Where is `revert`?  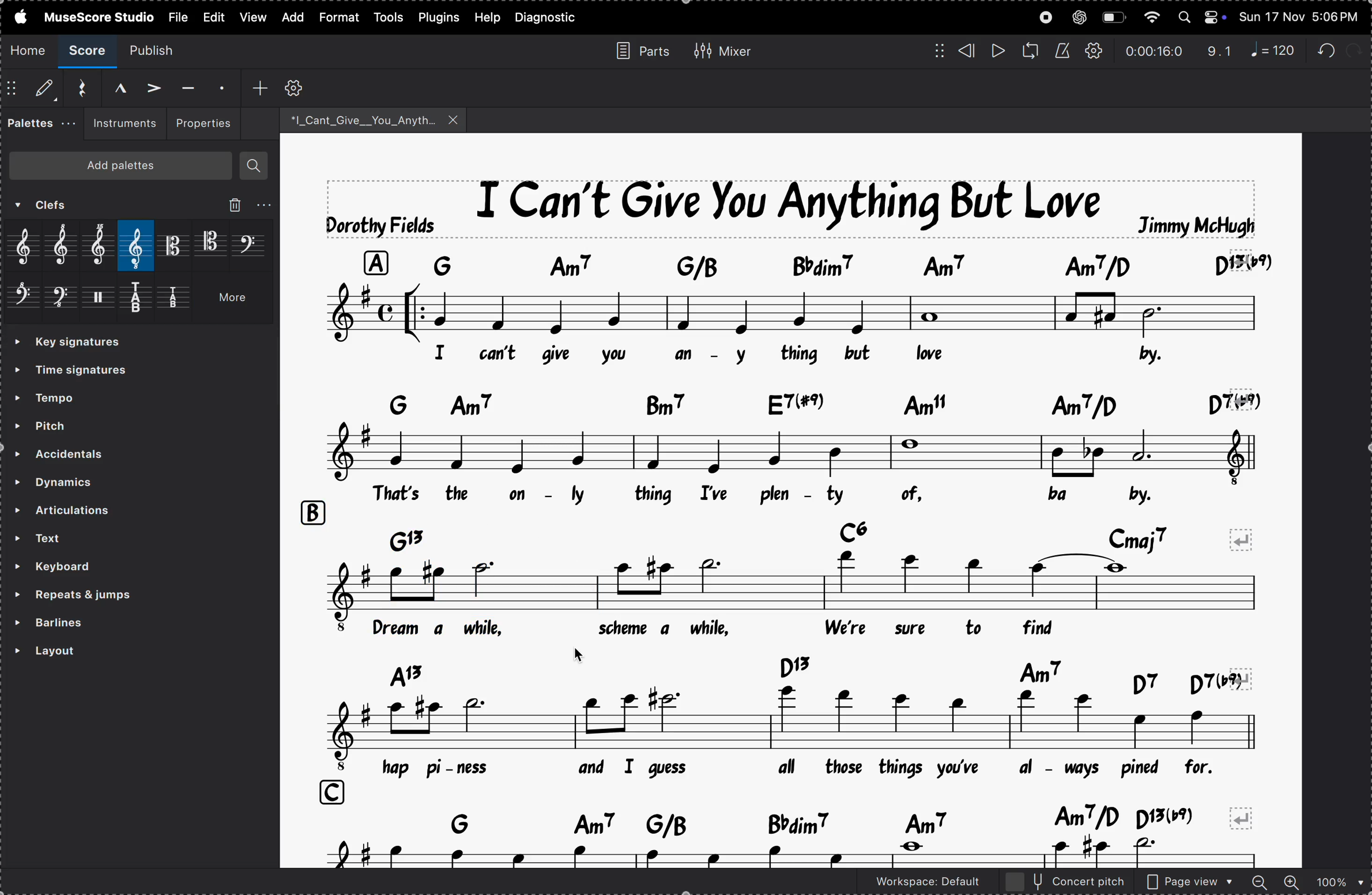
revert is located at coordinates (1245, 814).